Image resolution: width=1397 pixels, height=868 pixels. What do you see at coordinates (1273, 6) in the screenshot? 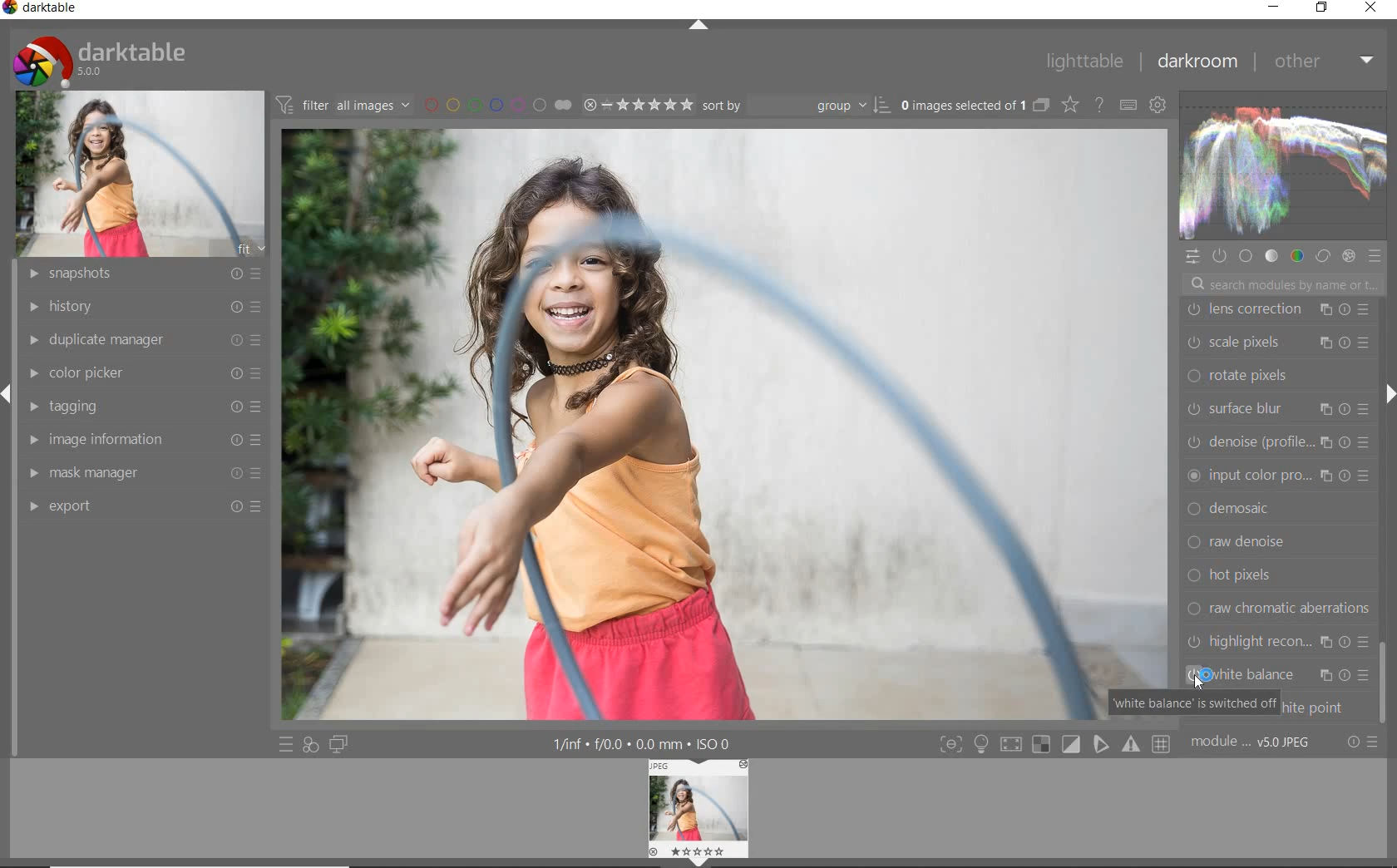
I see `minimize` at bounding box center [1273, 6].